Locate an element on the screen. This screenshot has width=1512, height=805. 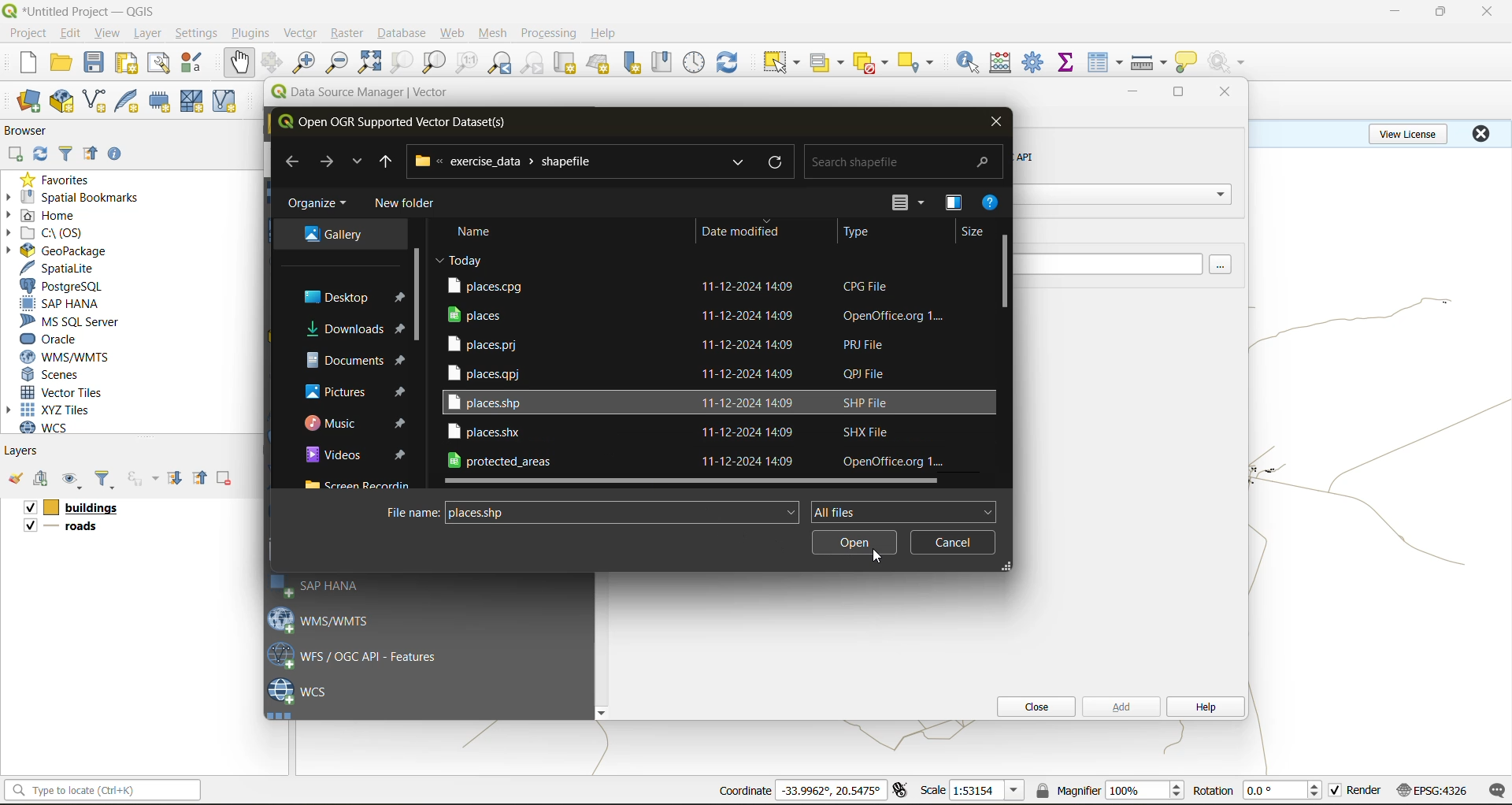
file/folder names is located at coordinates (669, 373).